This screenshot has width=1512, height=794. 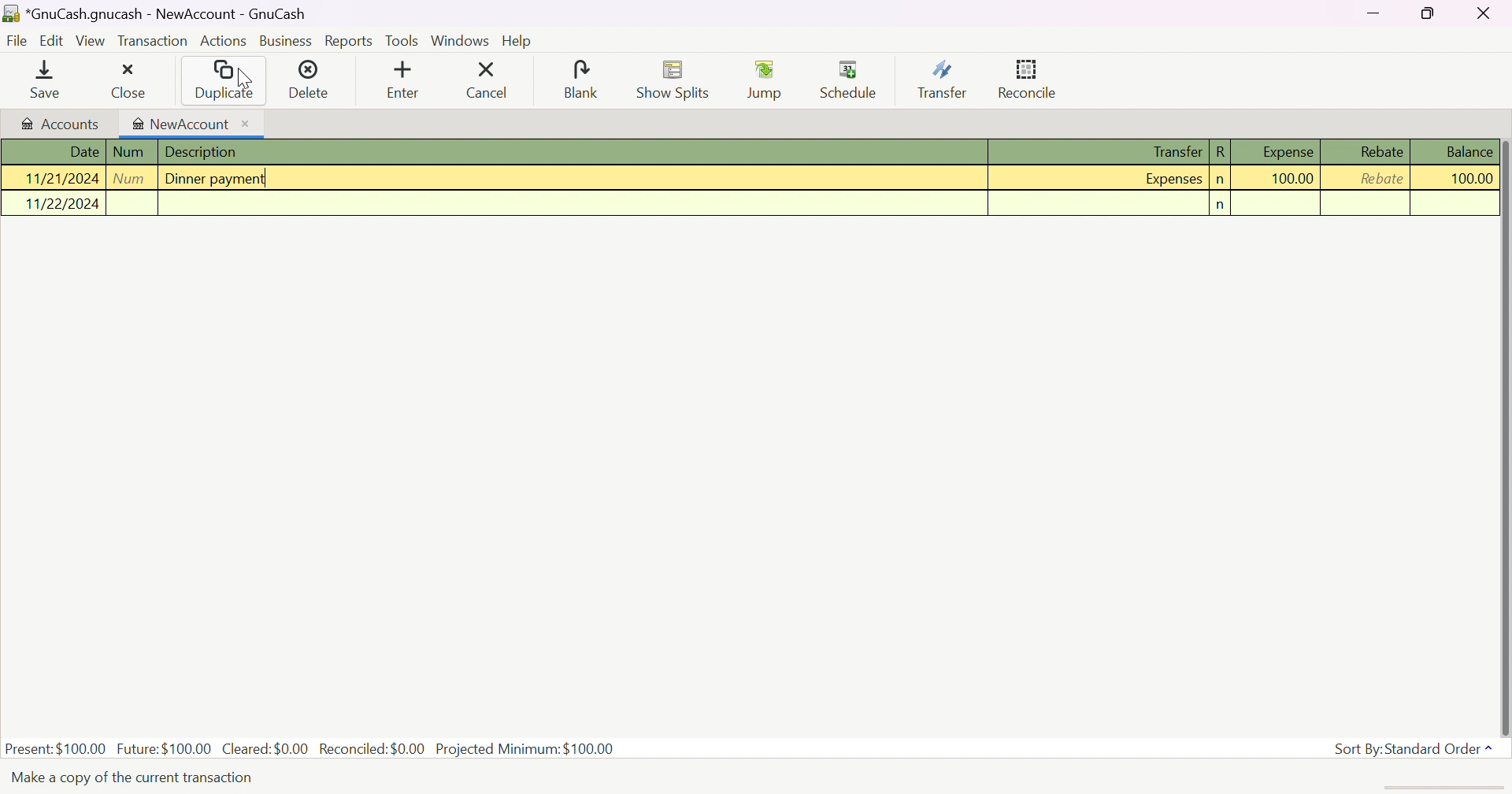 I want to click on n, so click(x=1224, y=205).